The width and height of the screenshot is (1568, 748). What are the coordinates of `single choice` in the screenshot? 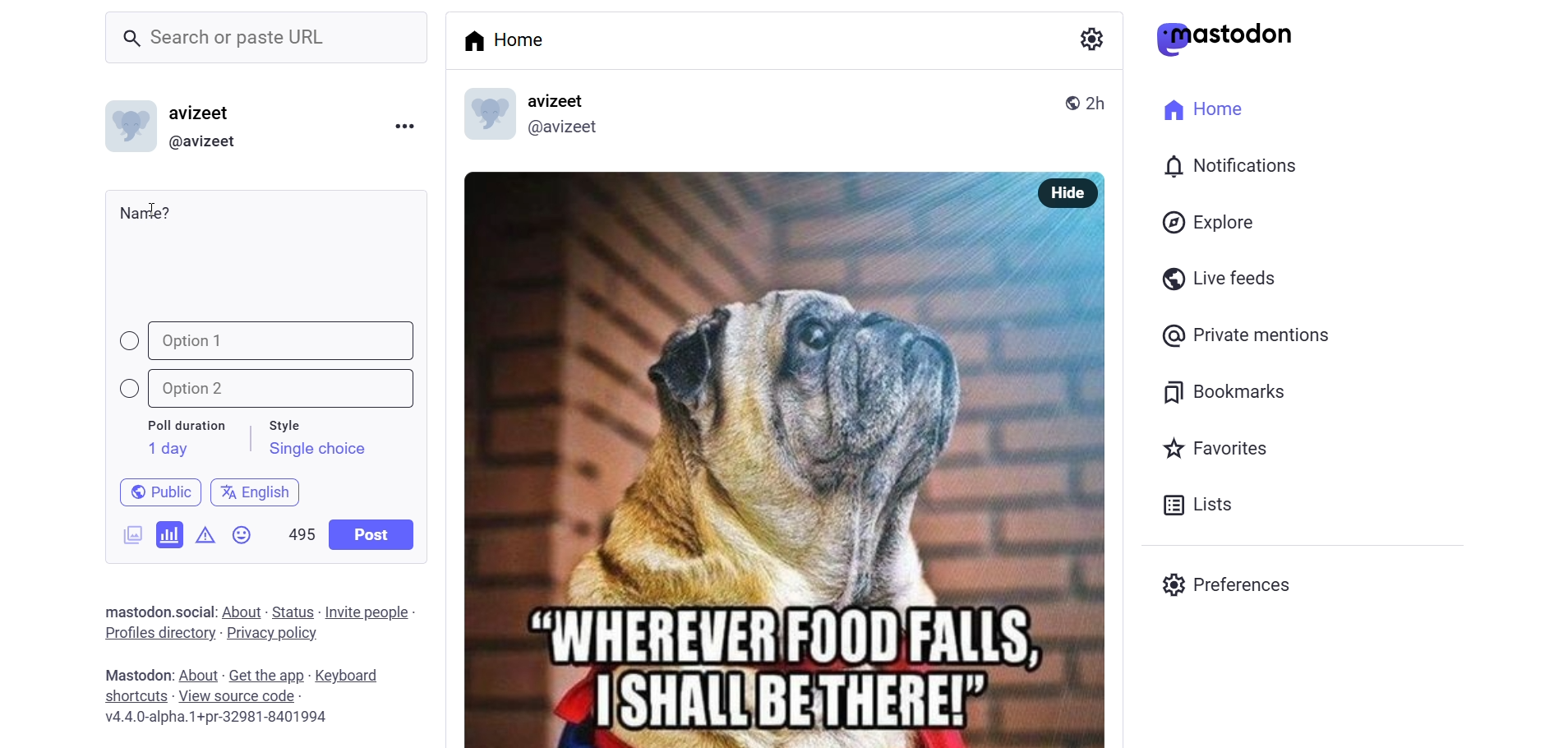 It's located at (316, 451).